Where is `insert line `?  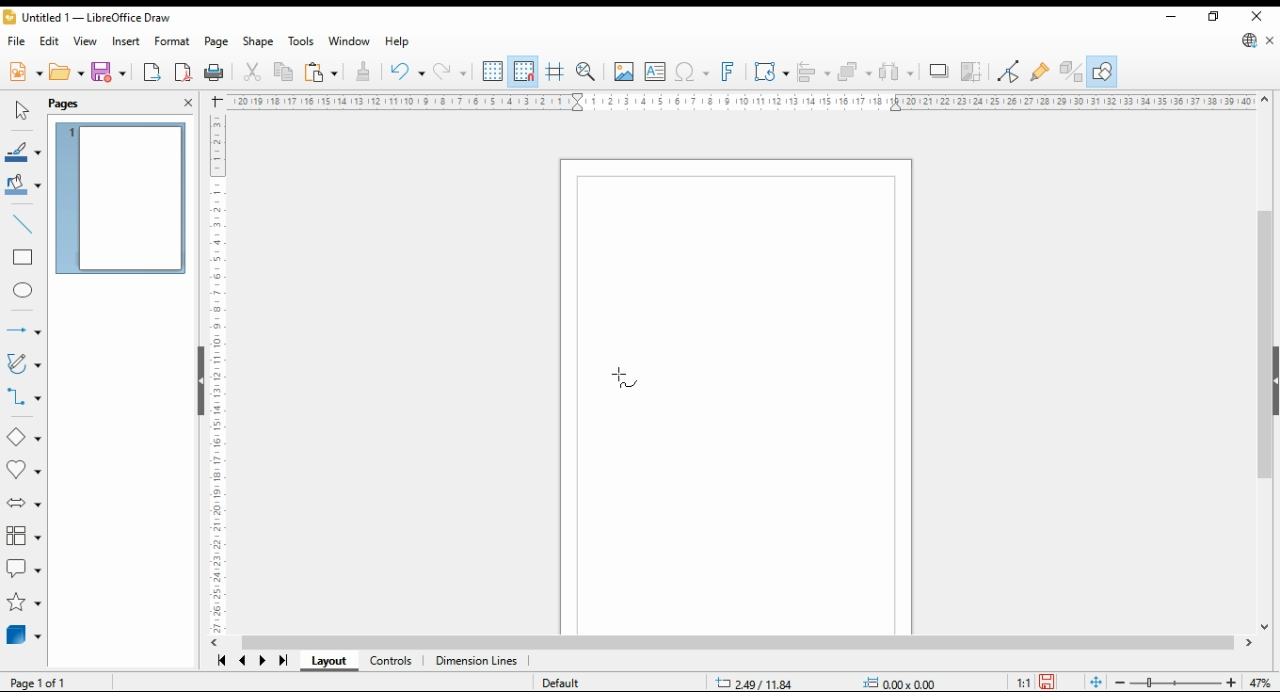
insert line  is located at coordinates (25, 225).